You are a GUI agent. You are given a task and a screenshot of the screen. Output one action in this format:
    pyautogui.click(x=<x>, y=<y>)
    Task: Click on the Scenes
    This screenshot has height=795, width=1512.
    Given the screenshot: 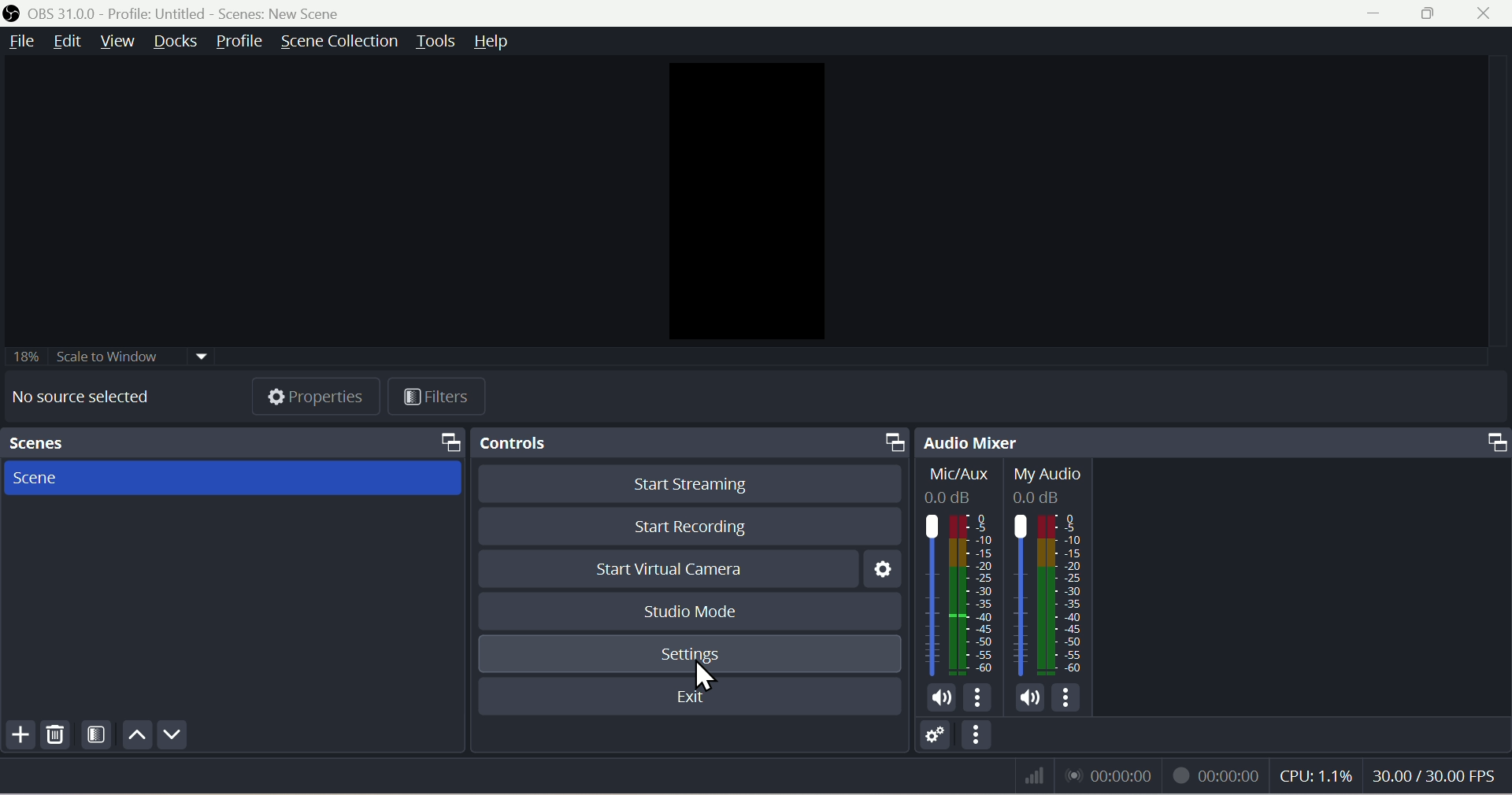 What is the action you would take?
    pyautogui.click(x=197, y=440)
    